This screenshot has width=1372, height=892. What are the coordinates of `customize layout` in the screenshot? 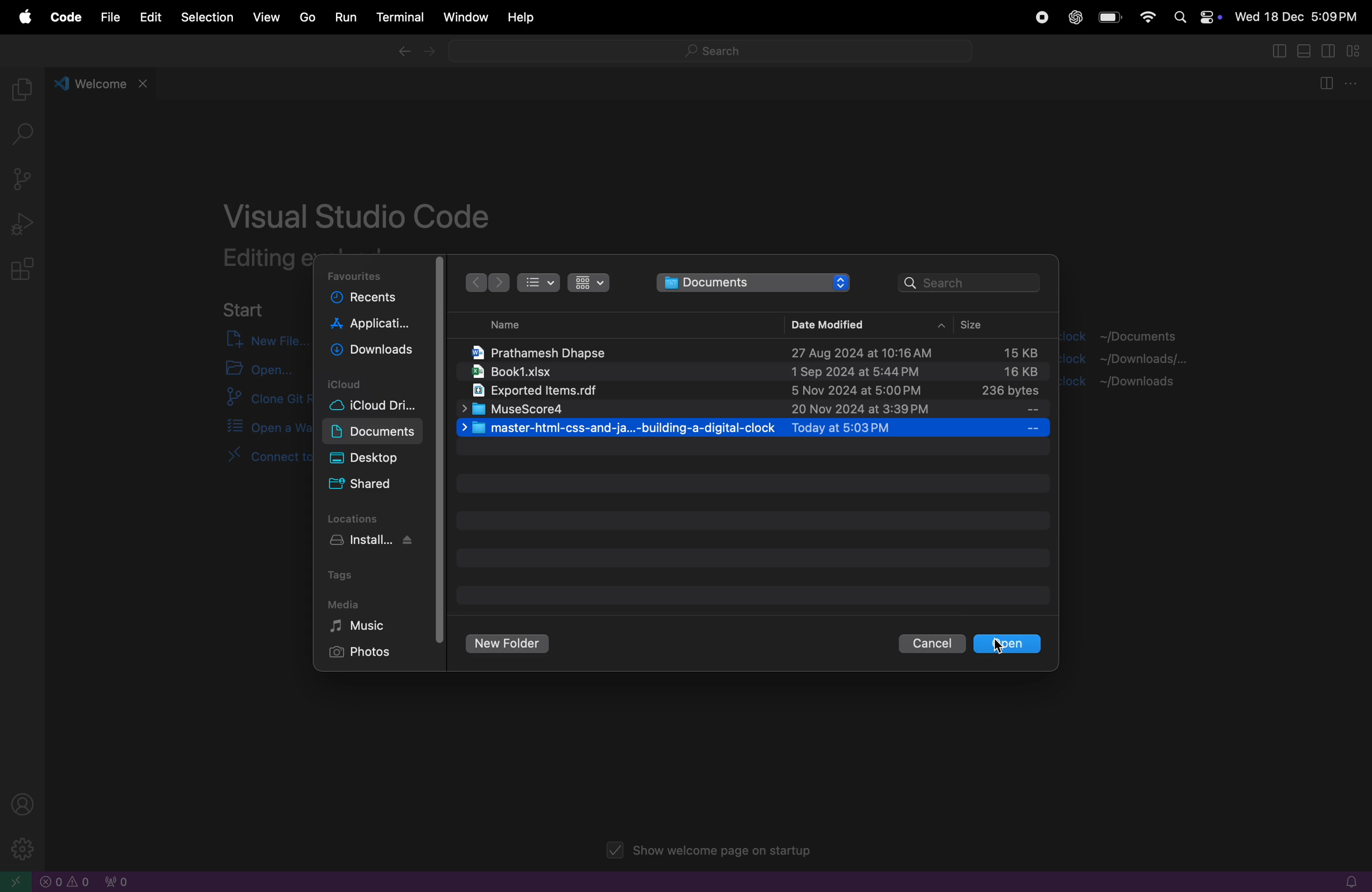 It's located at (1358, 52).